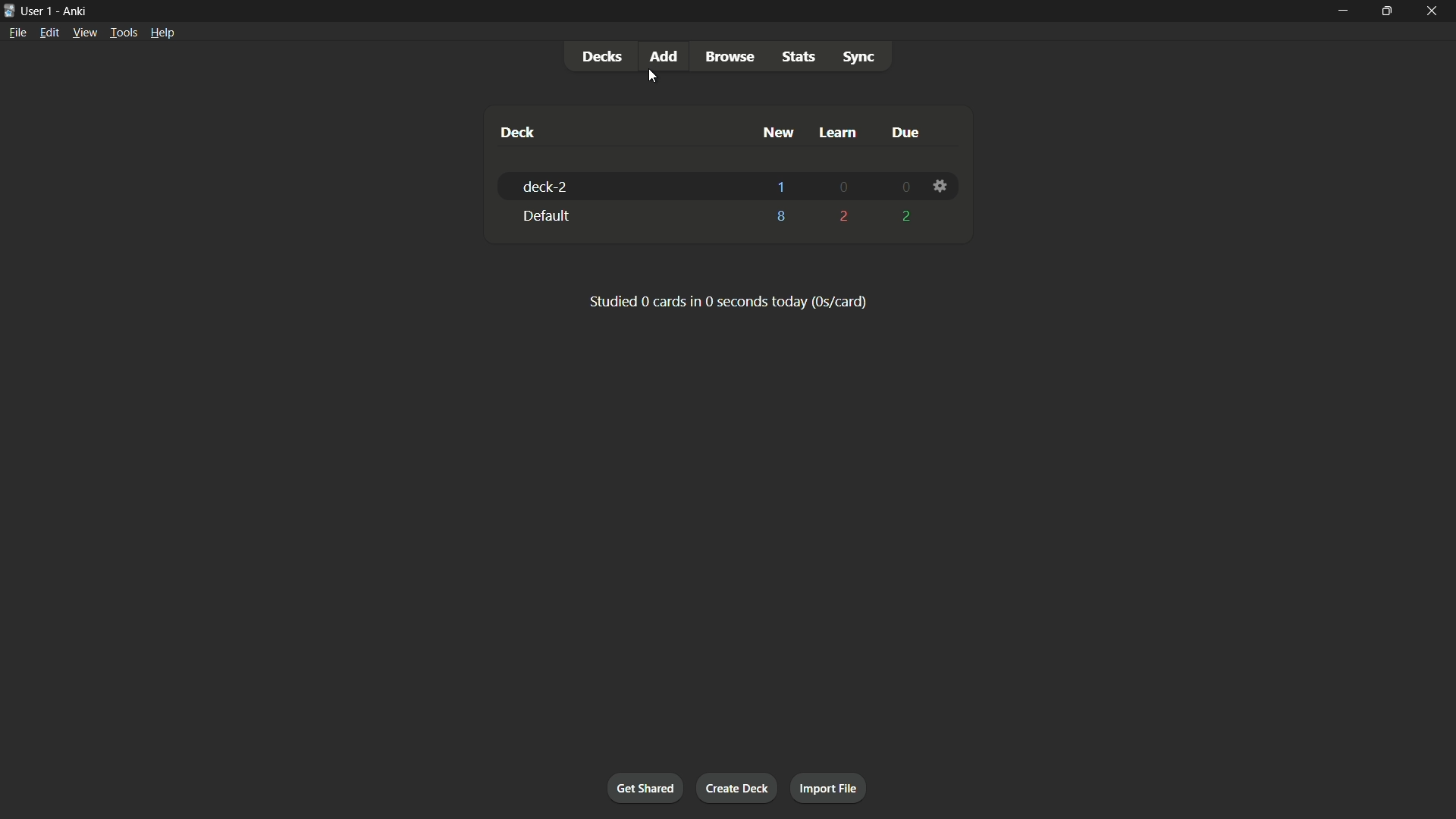  I want to click on deck, so click(521, 132).